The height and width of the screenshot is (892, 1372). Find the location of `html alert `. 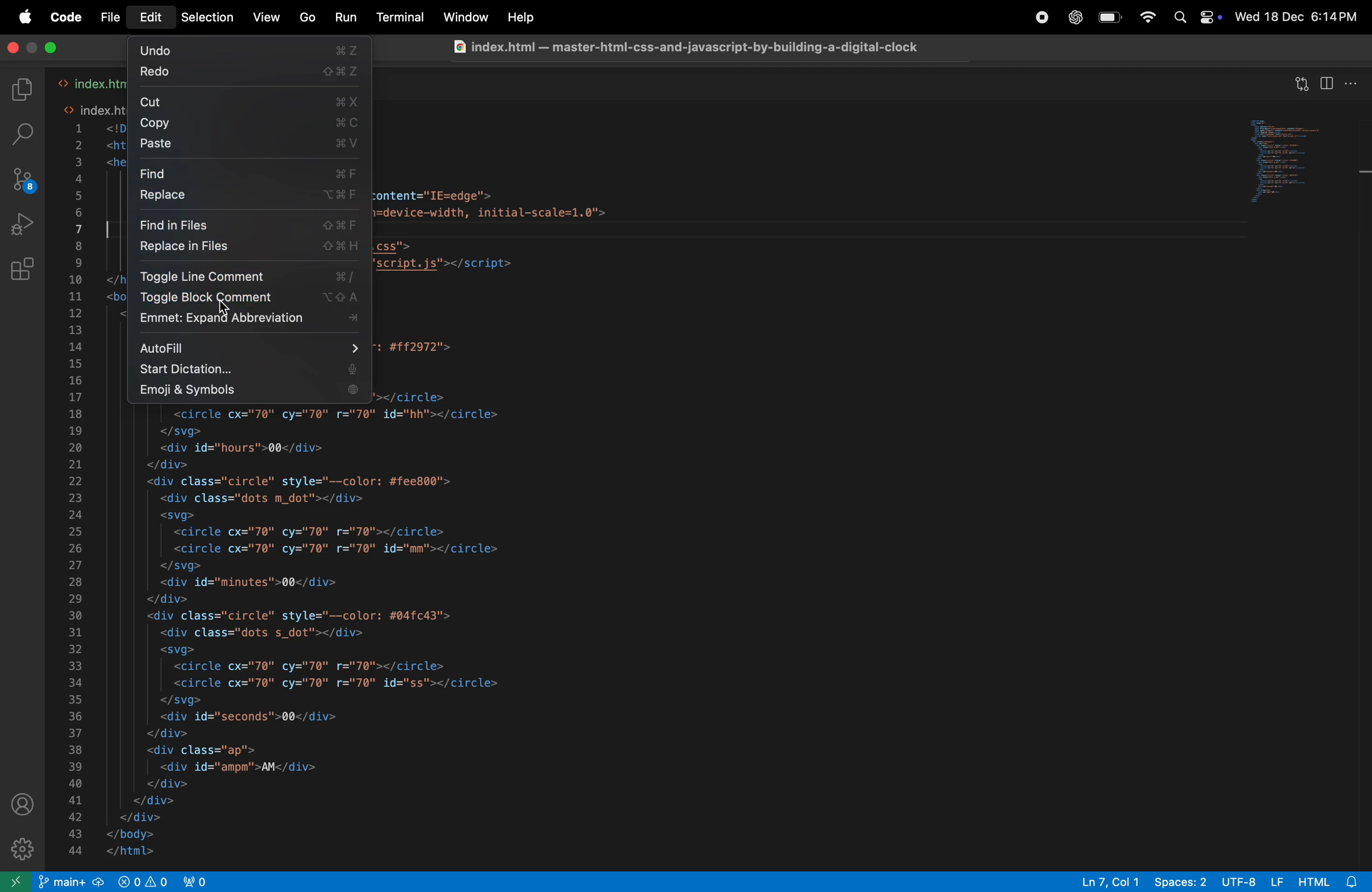

html alert  is located at coordinates (1332, 881).